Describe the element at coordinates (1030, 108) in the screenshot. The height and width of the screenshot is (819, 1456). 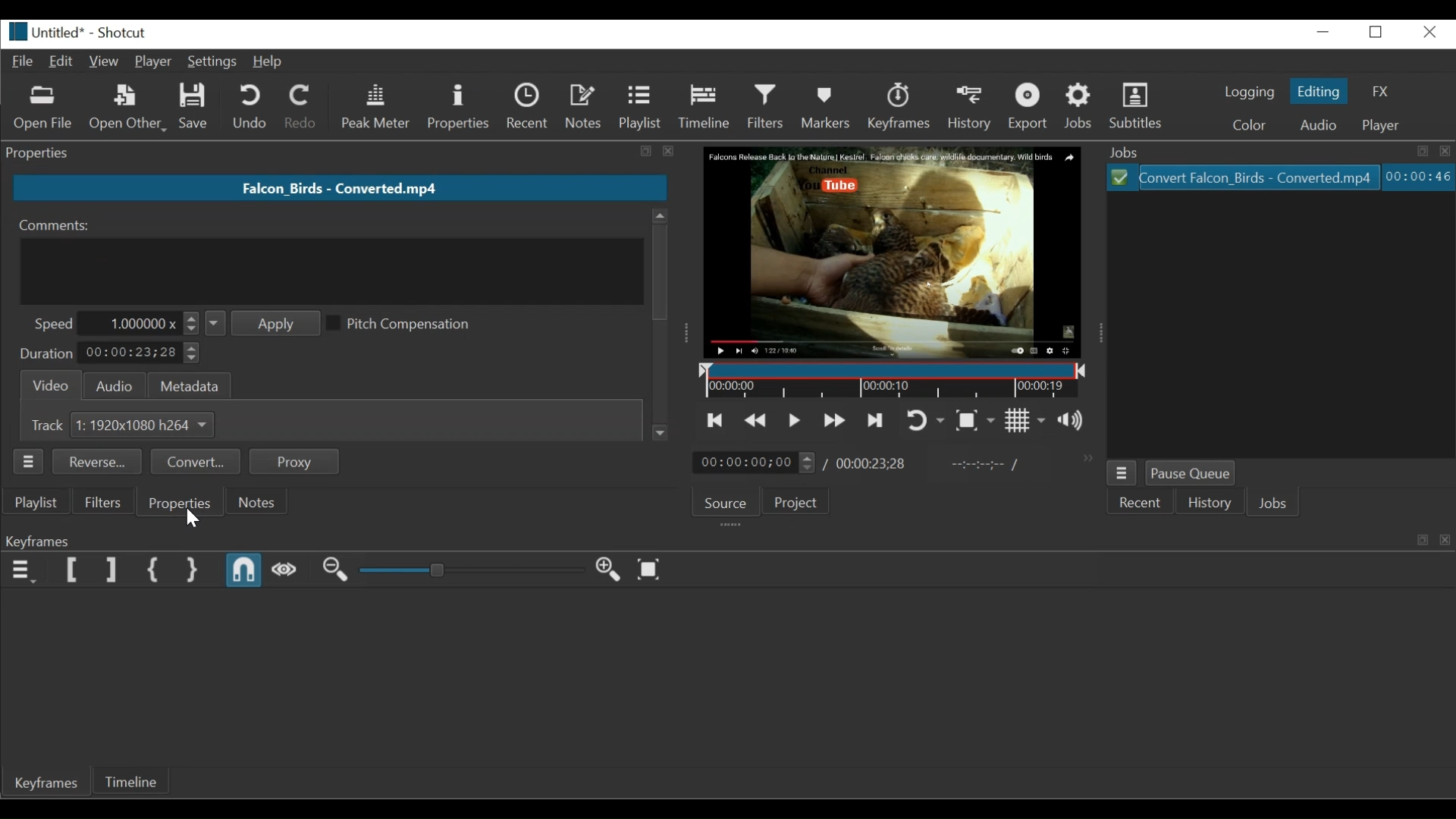
I see `Export` at that location.